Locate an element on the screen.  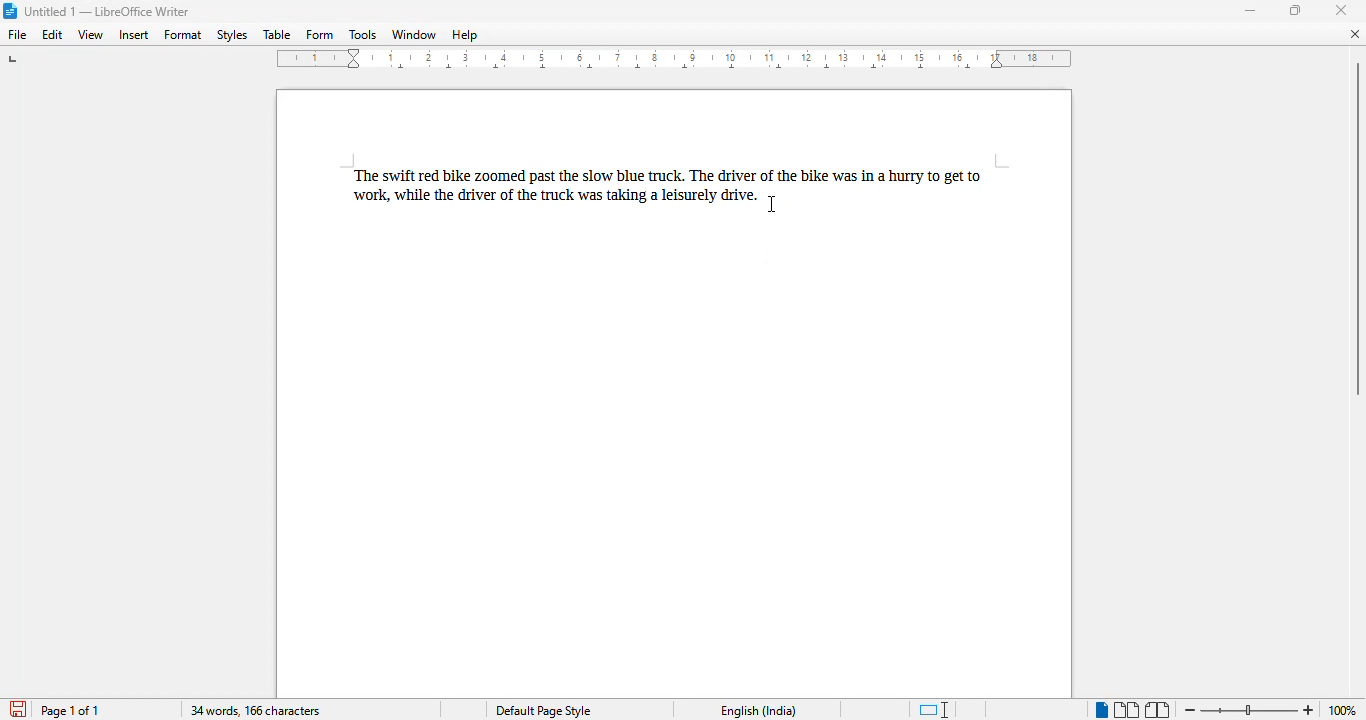
format is located at coordinates (184, 34).